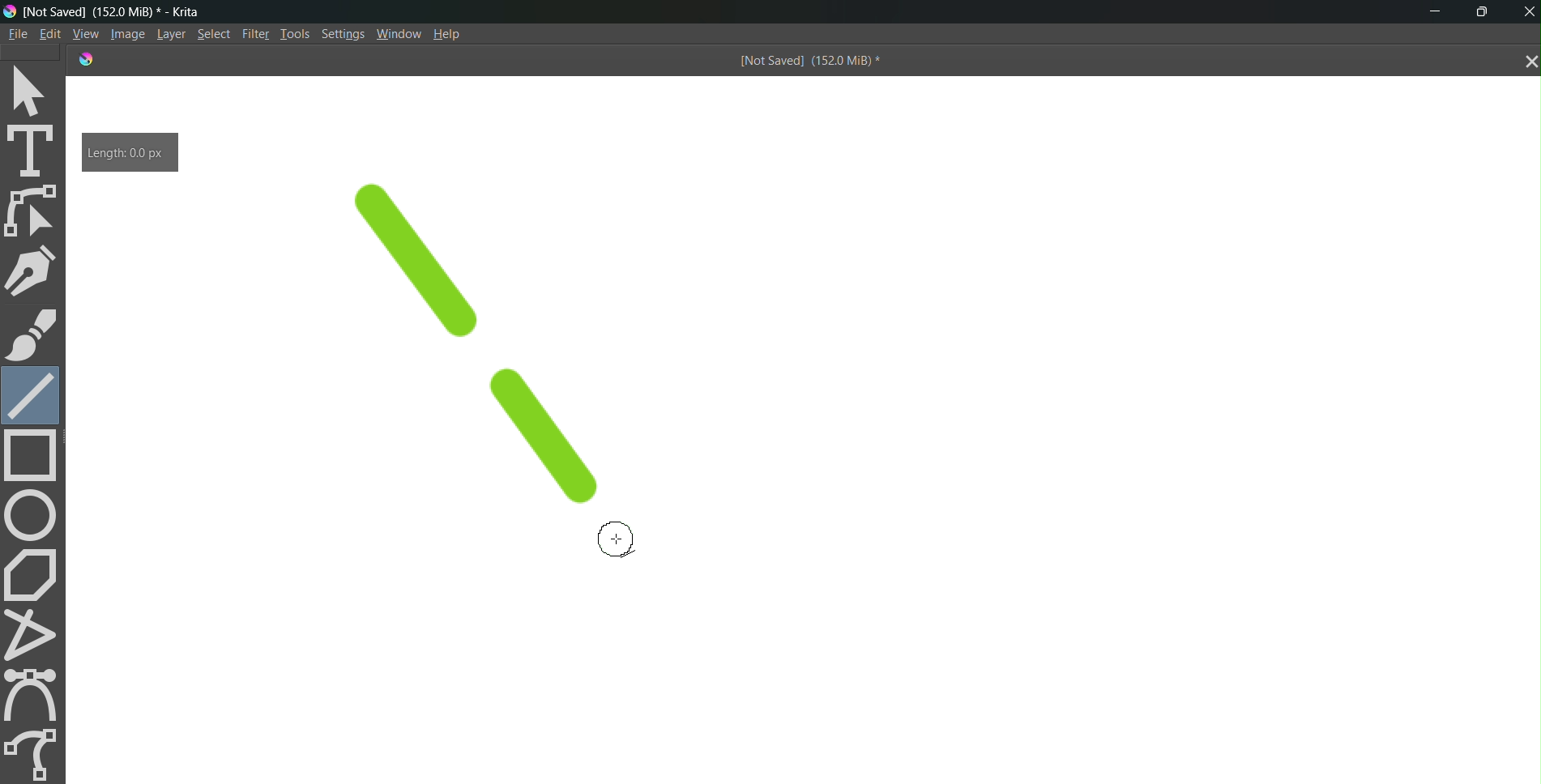  What do you see at coordinates (617, 539) in the screenshot?
I see `cursor` at bounding box center [617, 539].